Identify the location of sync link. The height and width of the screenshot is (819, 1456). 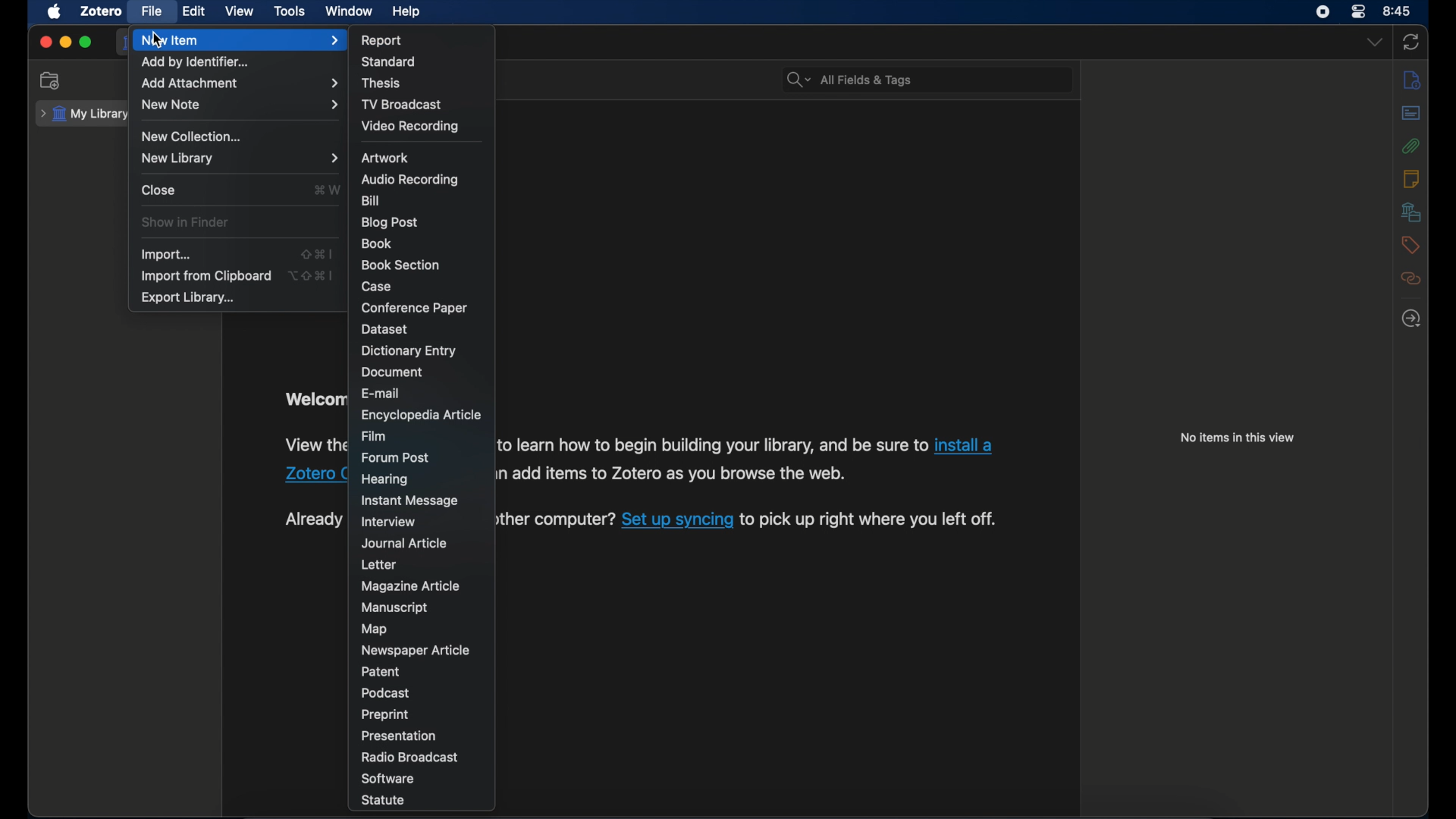
(677, 522).